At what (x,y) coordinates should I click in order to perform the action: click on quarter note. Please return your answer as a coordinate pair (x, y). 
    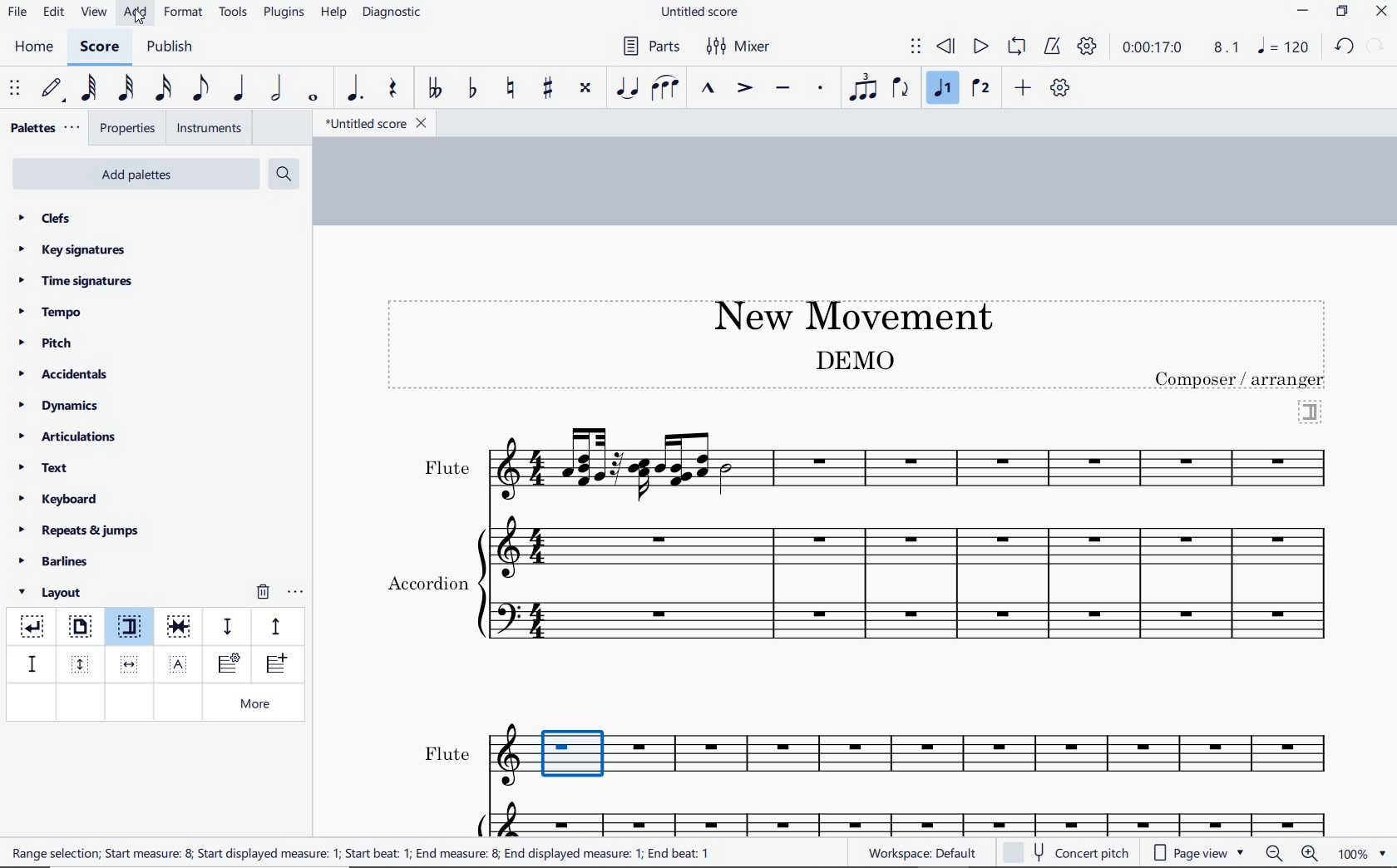
    Looking at the image, I should click on (238, 89).